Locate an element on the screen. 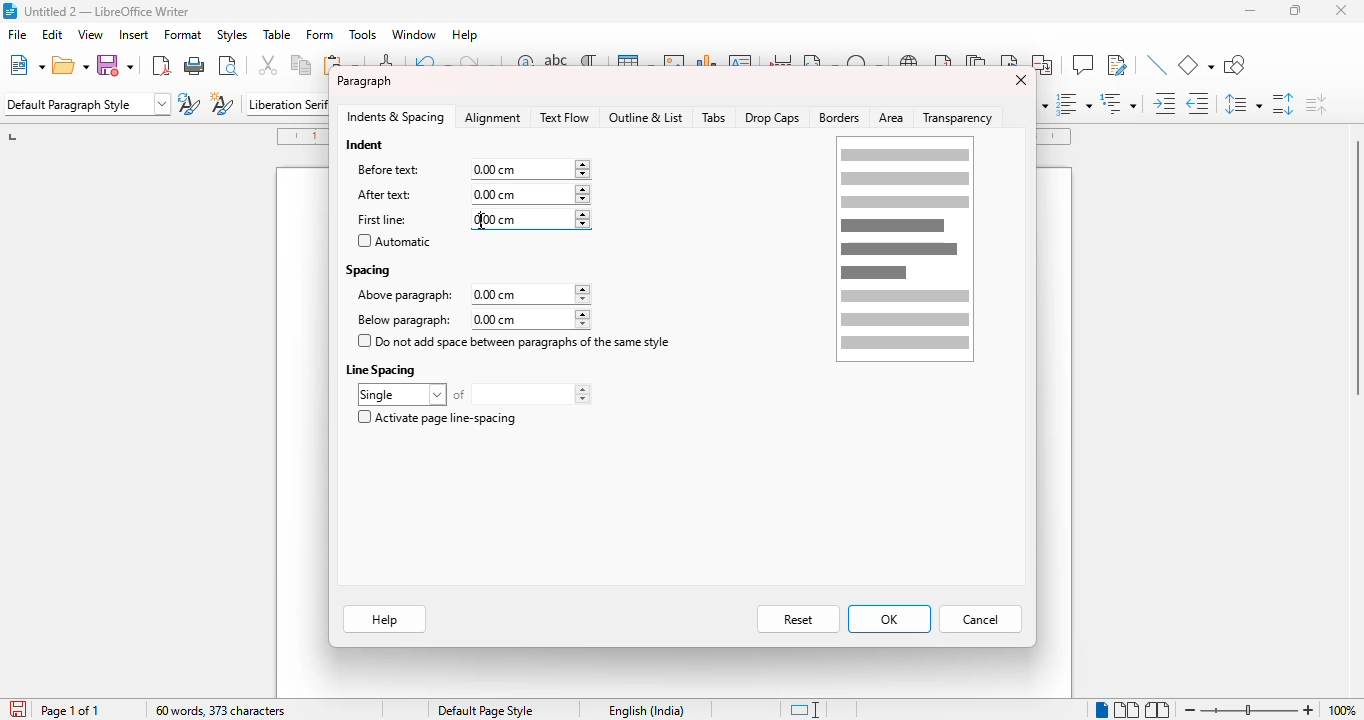 The width and height of the screenshot is (1364, 720). drop caps is located at coordinates (772, 117).